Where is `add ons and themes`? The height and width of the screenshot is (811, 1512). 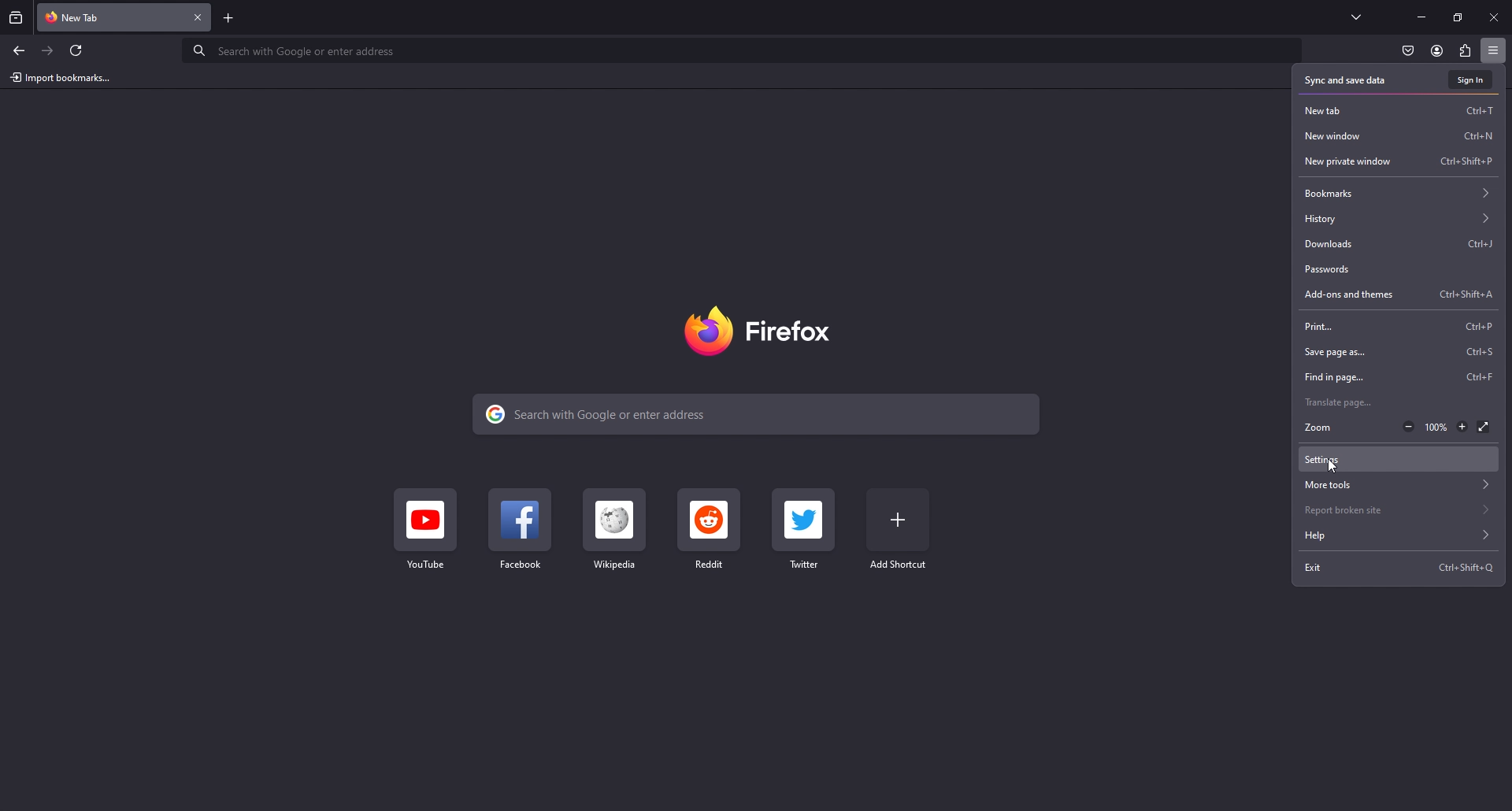
add ons and themes is located at coordinates (1400, 295).